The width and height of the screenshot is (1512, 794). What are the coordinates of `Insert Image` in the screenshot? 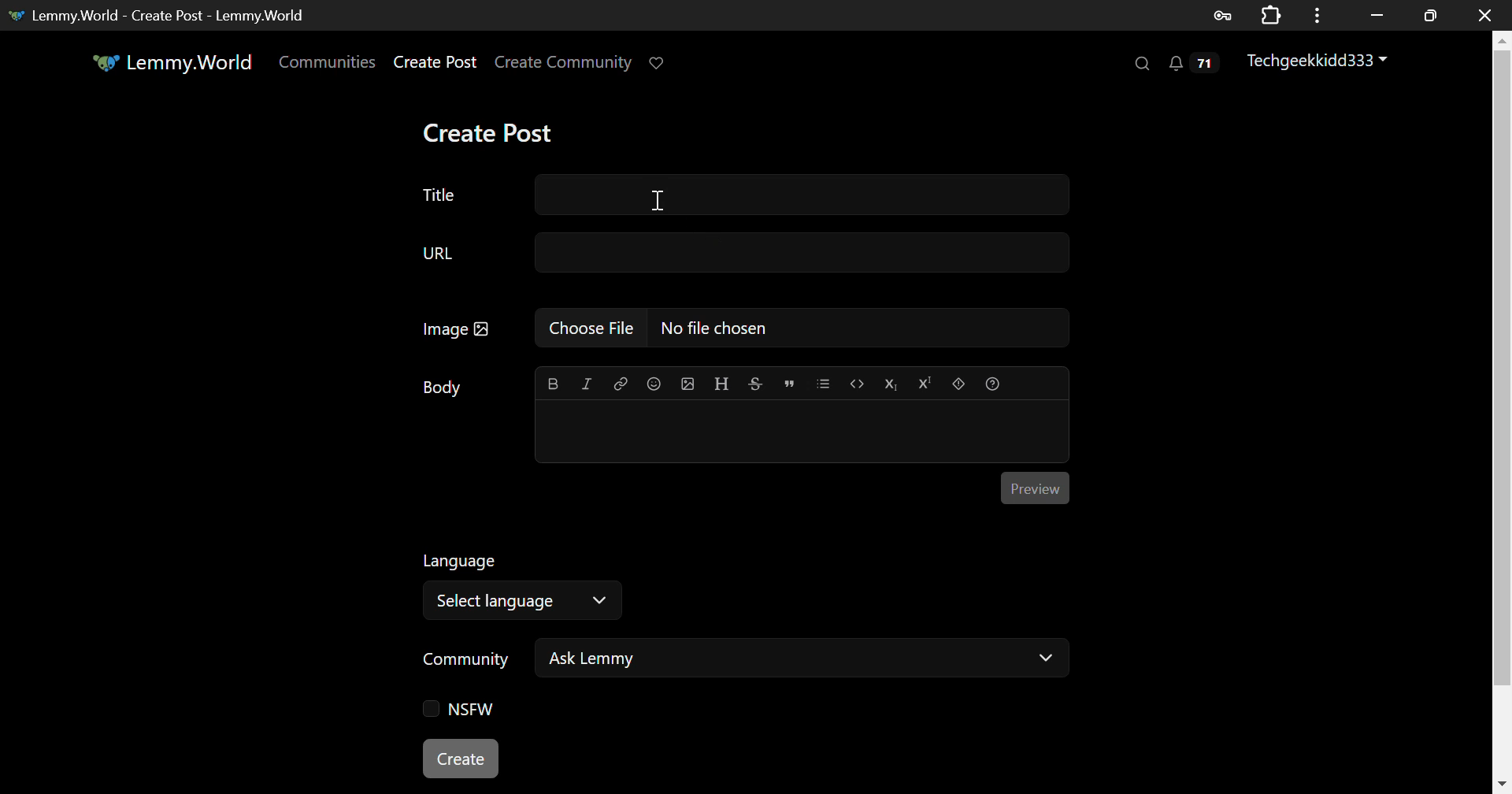 It's located at (687, 384).